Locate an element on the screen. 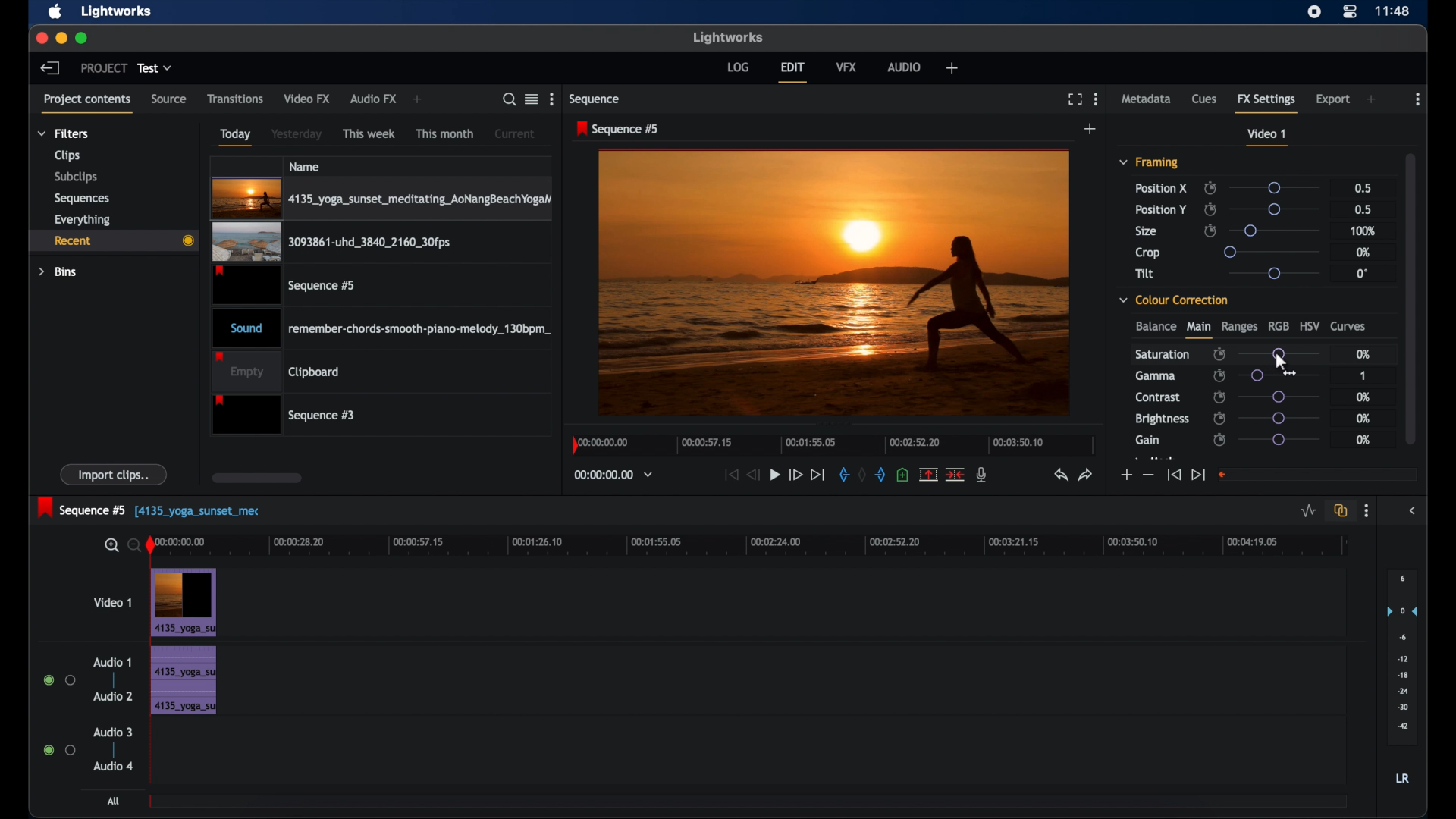 This screenshot has width=1456, height=819. saturation is located at coordinates (1163, 353).